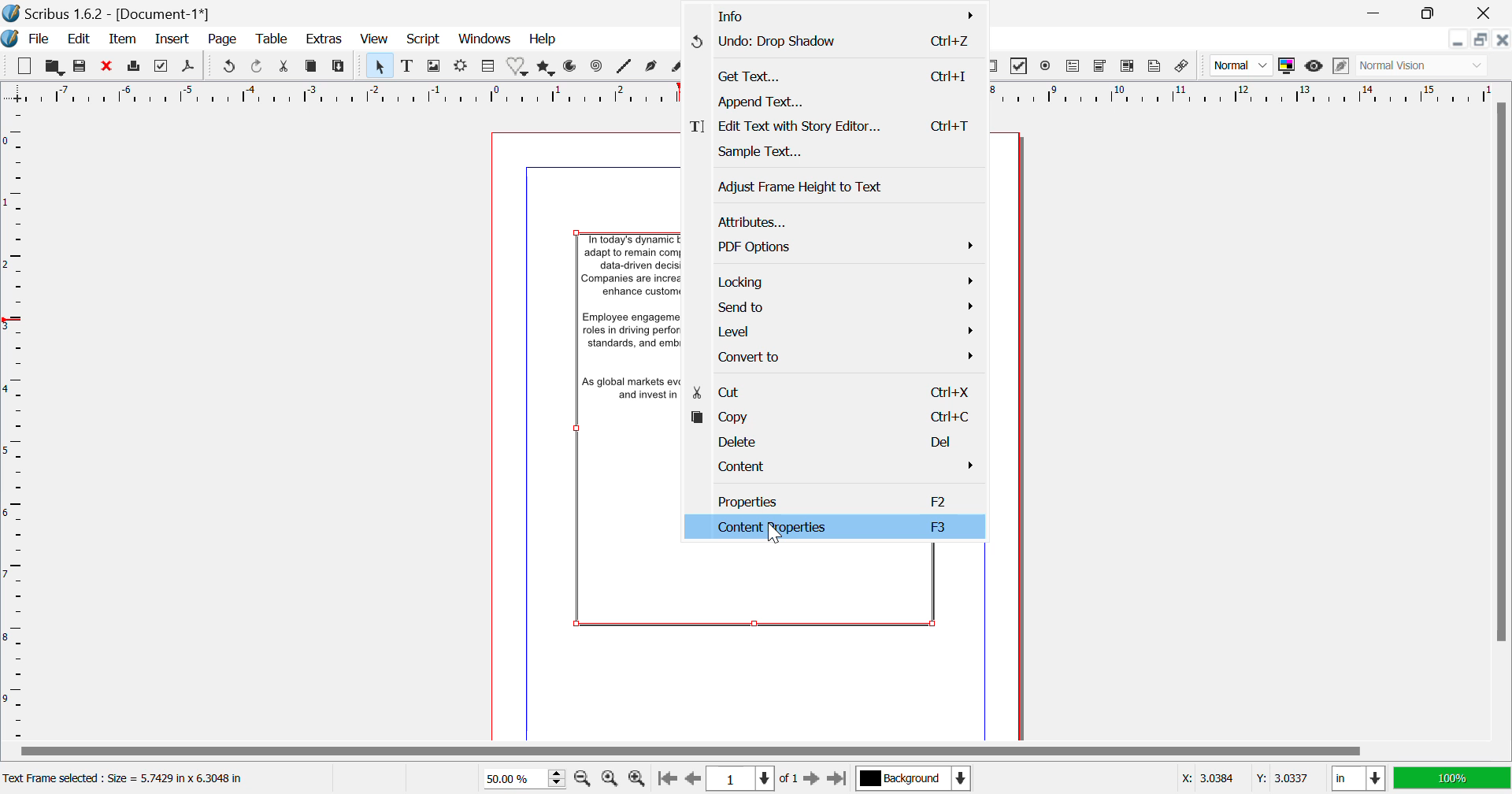 This screenshot has height=794, width=1512. I want to click on Discard, so click(108, 66).